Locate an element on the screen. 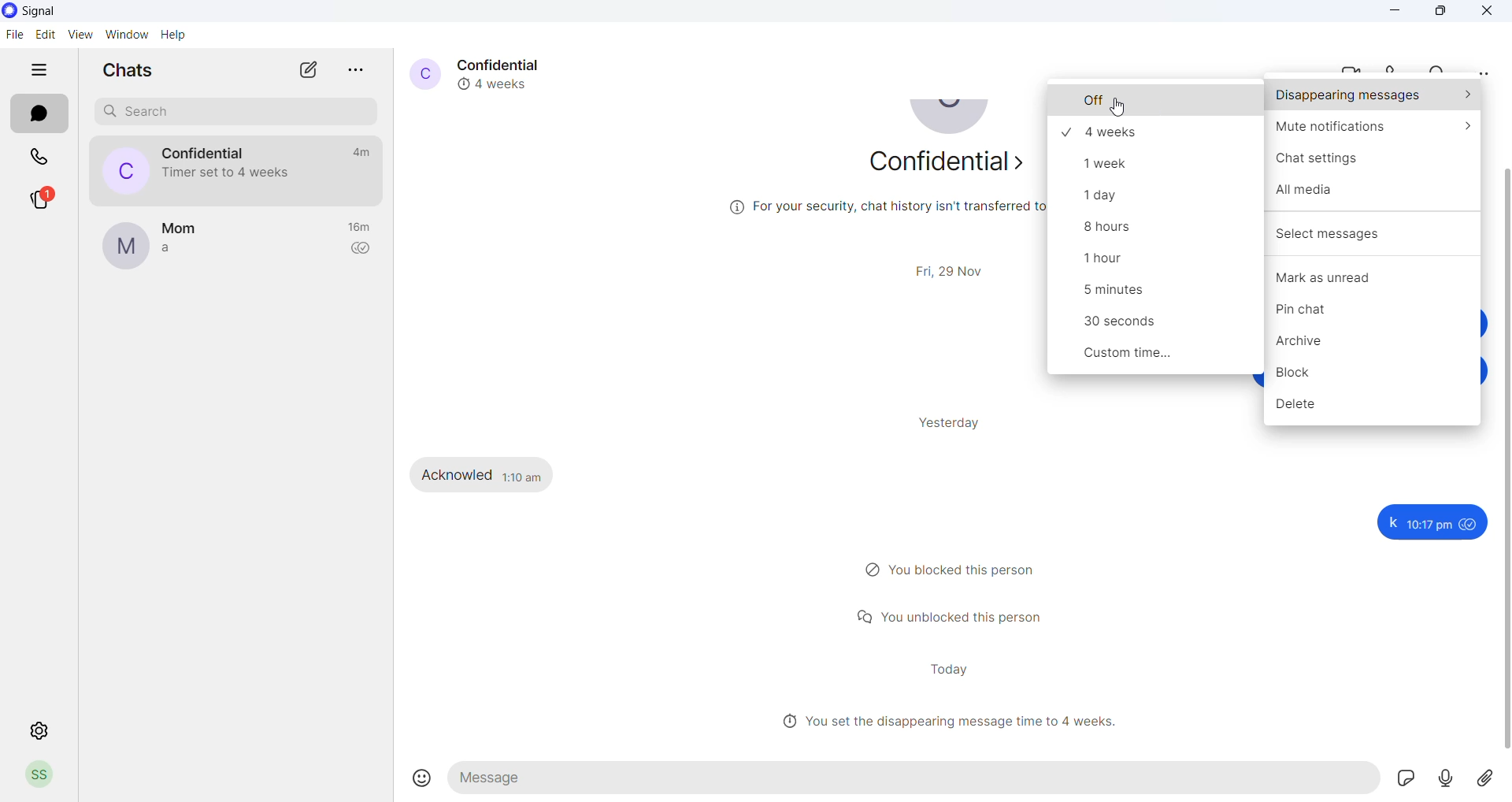  delete is located at coordinates (1371, 410).